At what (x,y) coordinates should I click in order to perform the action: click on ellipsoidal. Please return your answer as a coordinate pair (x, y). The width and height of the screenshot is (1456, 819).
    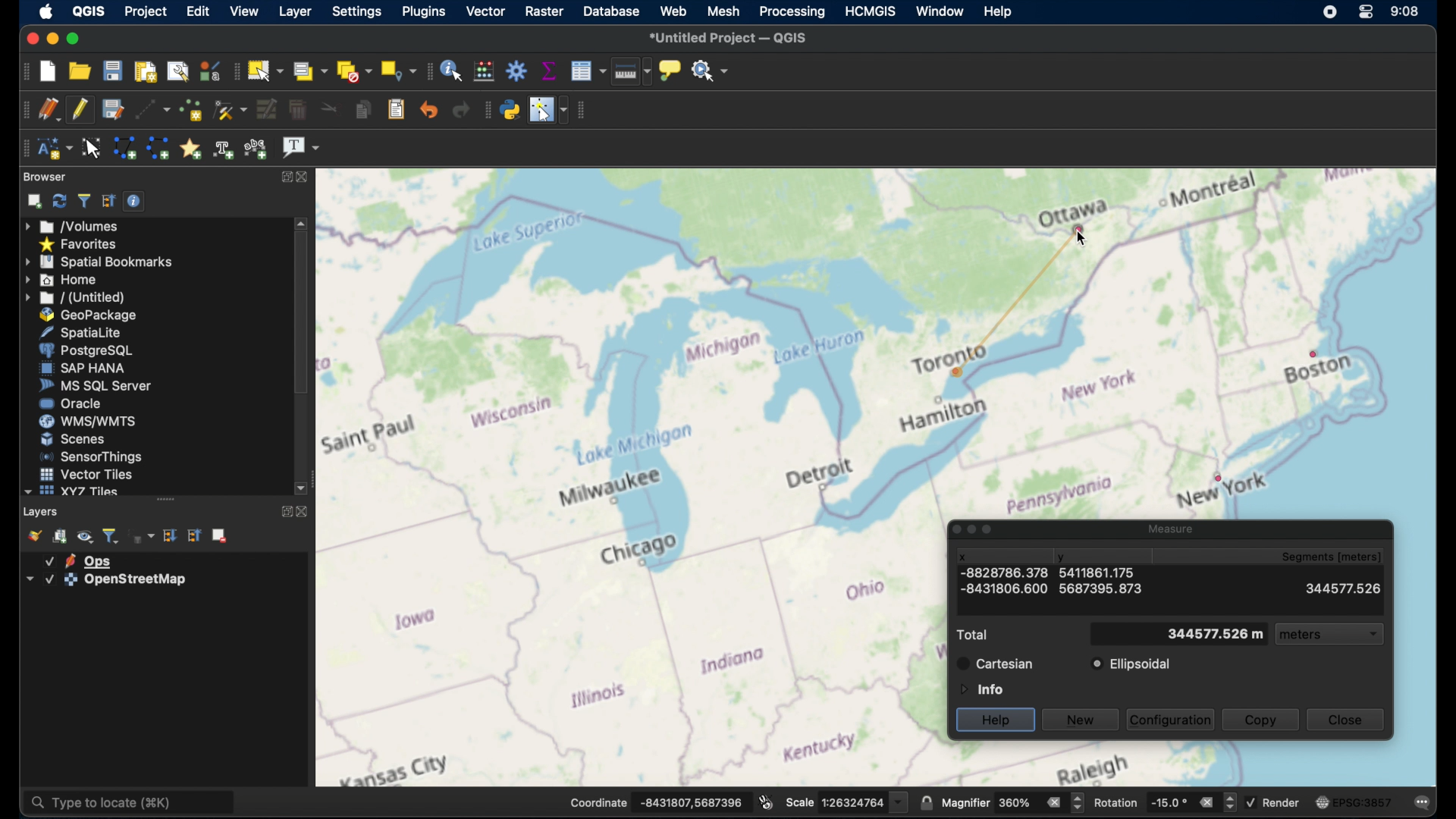
    Looking at the image, I should click on (1132, 664).